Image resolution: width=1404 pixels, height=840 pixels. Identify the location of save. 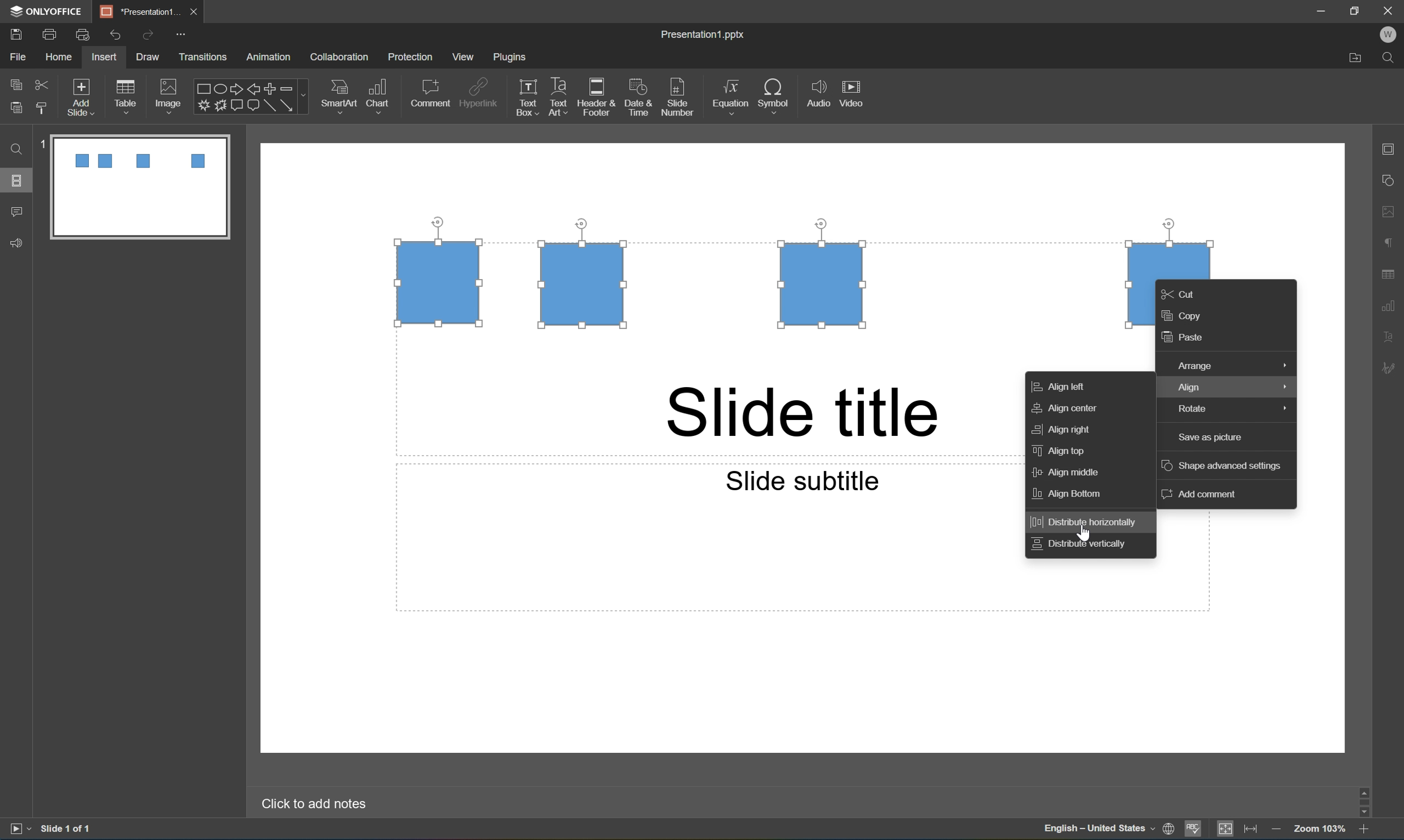
(14, 33).